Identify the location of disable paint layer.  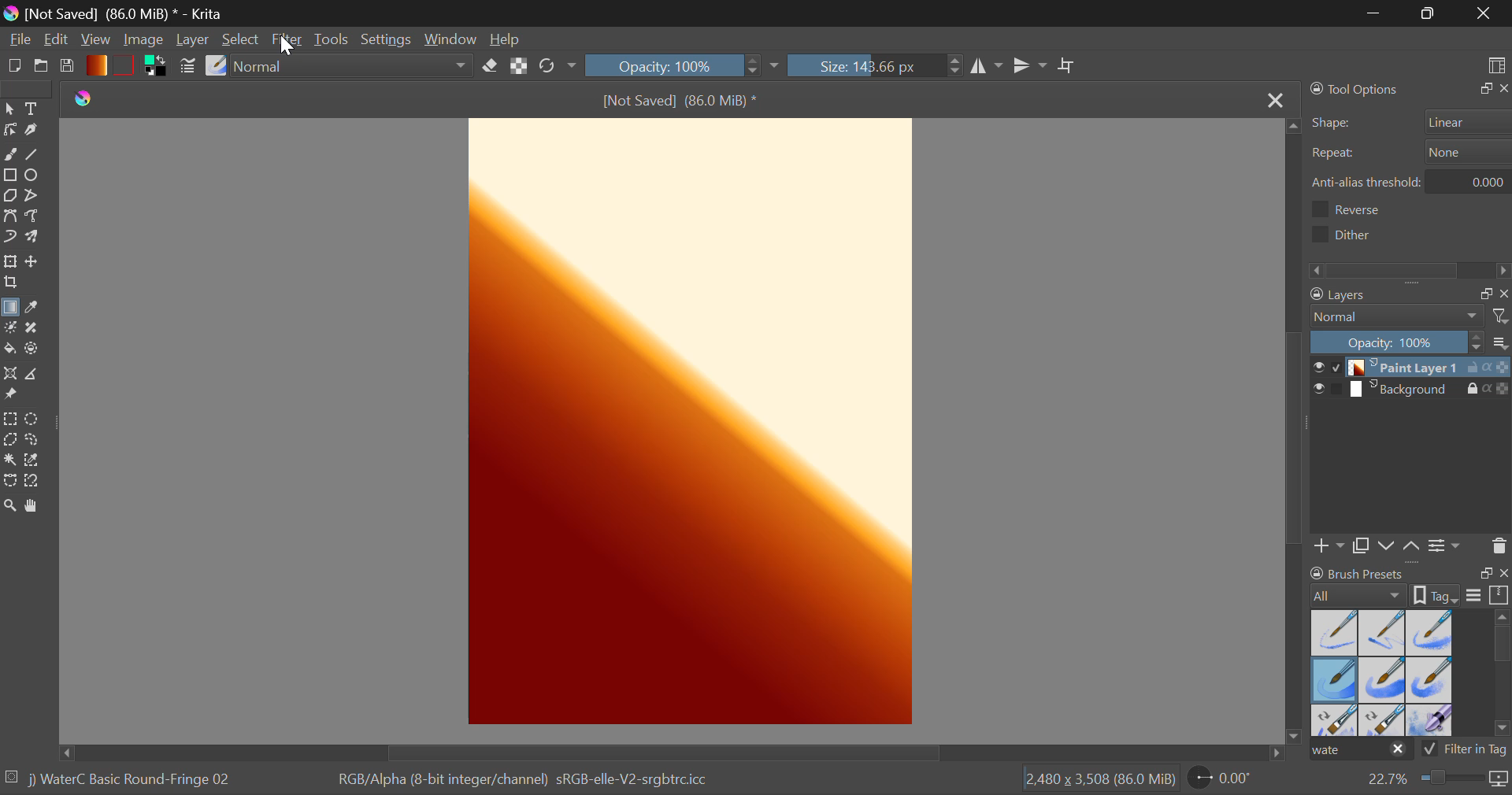
(1337, 367).